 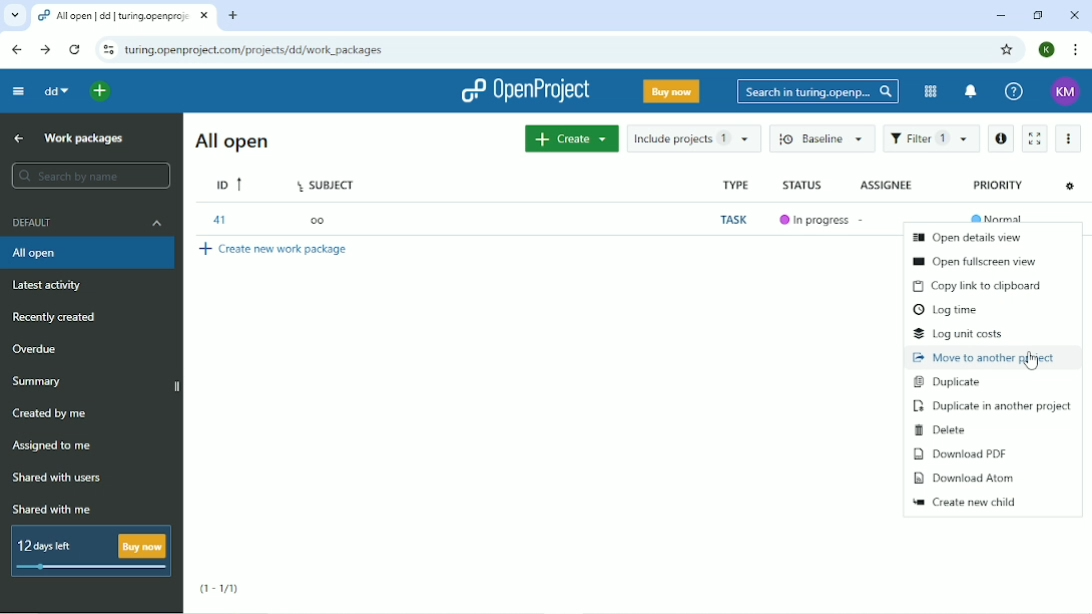 What do you see at coordinates (89, 223) in the screenshot?
I see `Default` at bounding box center [89, 223].